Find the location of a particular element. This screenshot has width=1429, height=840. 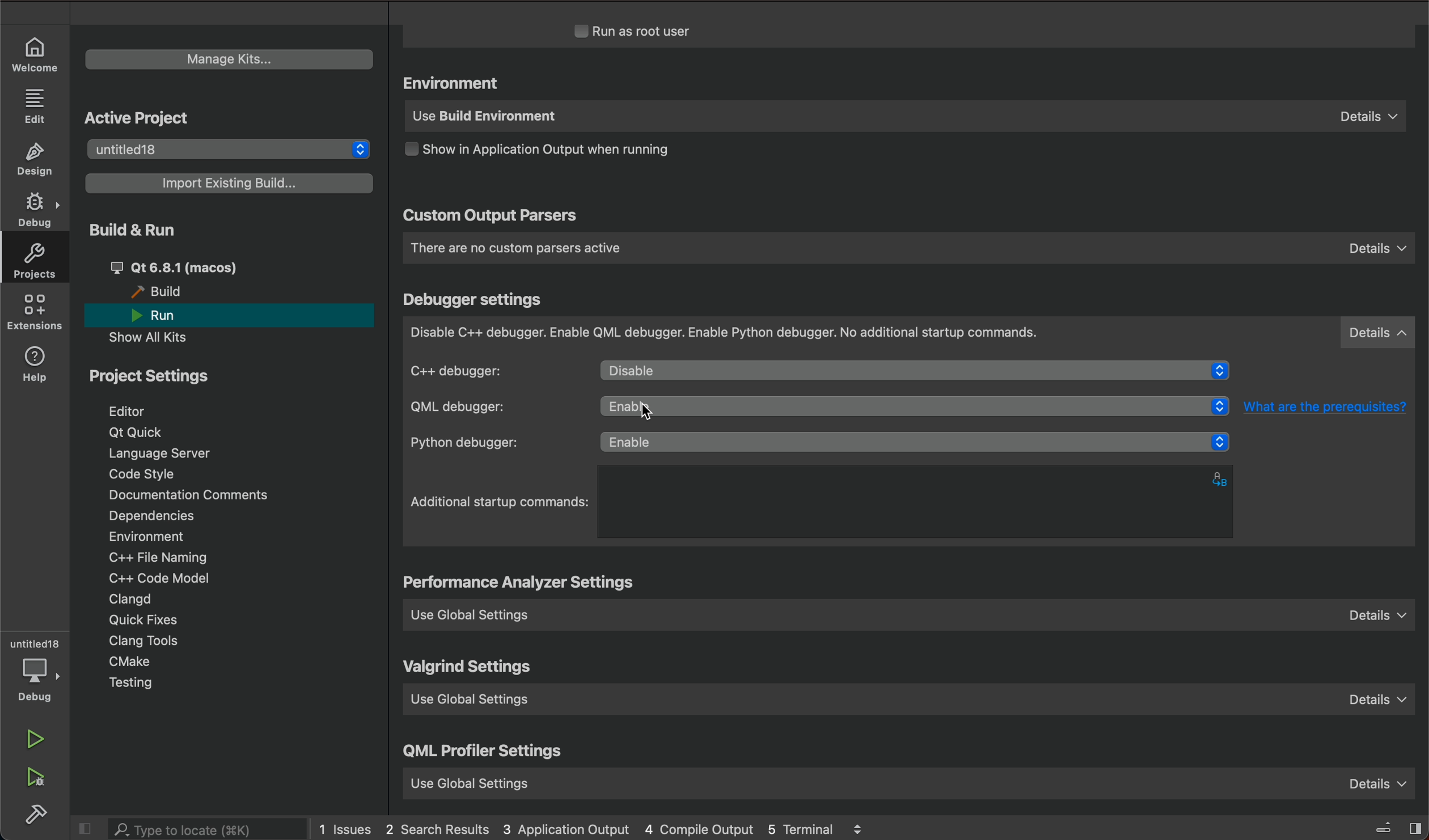

run is located at coordinates (35, 738).